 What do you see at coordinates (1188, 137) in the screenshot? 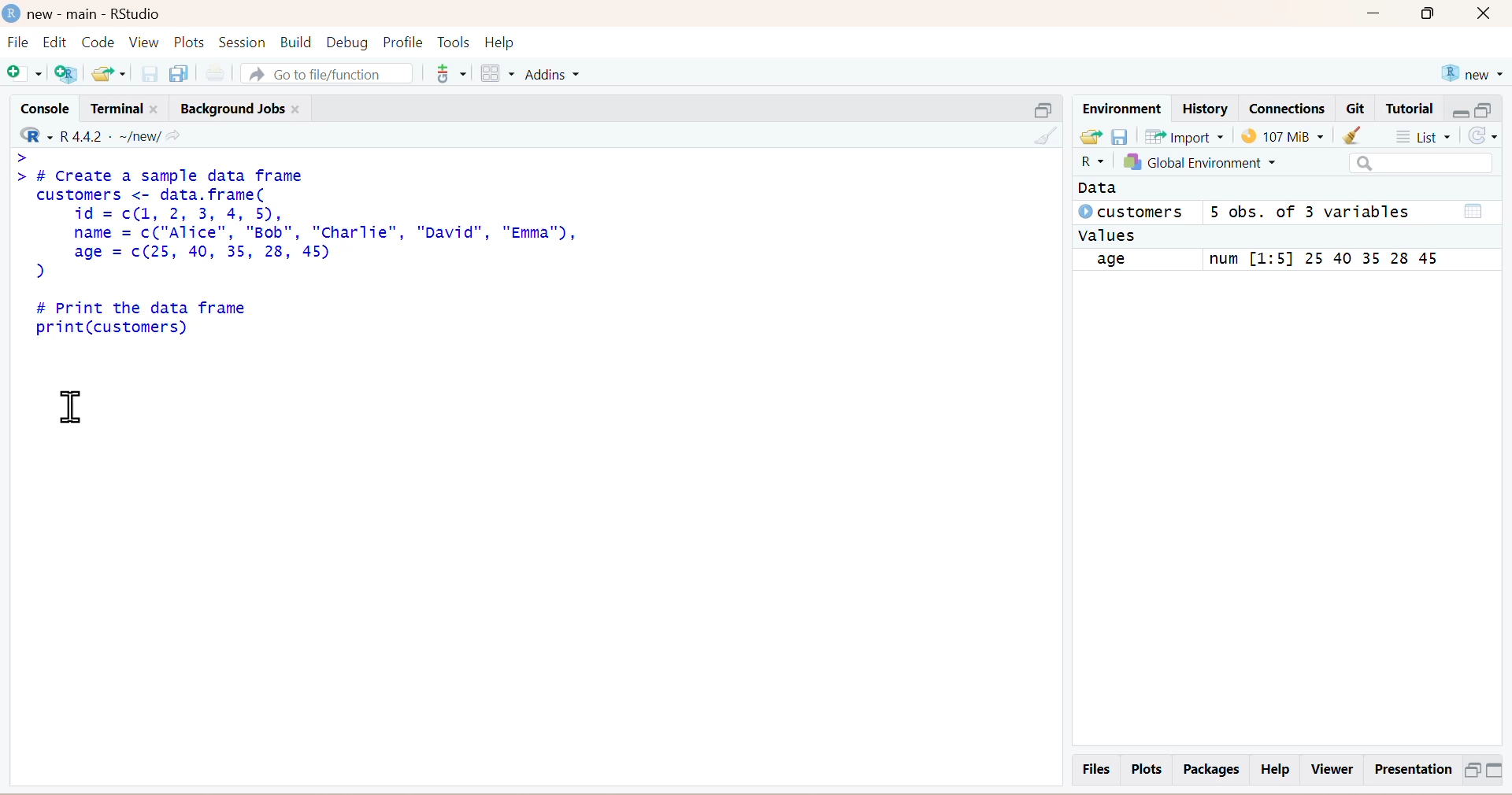
I see `Import` at bounding box center [1188, 137].